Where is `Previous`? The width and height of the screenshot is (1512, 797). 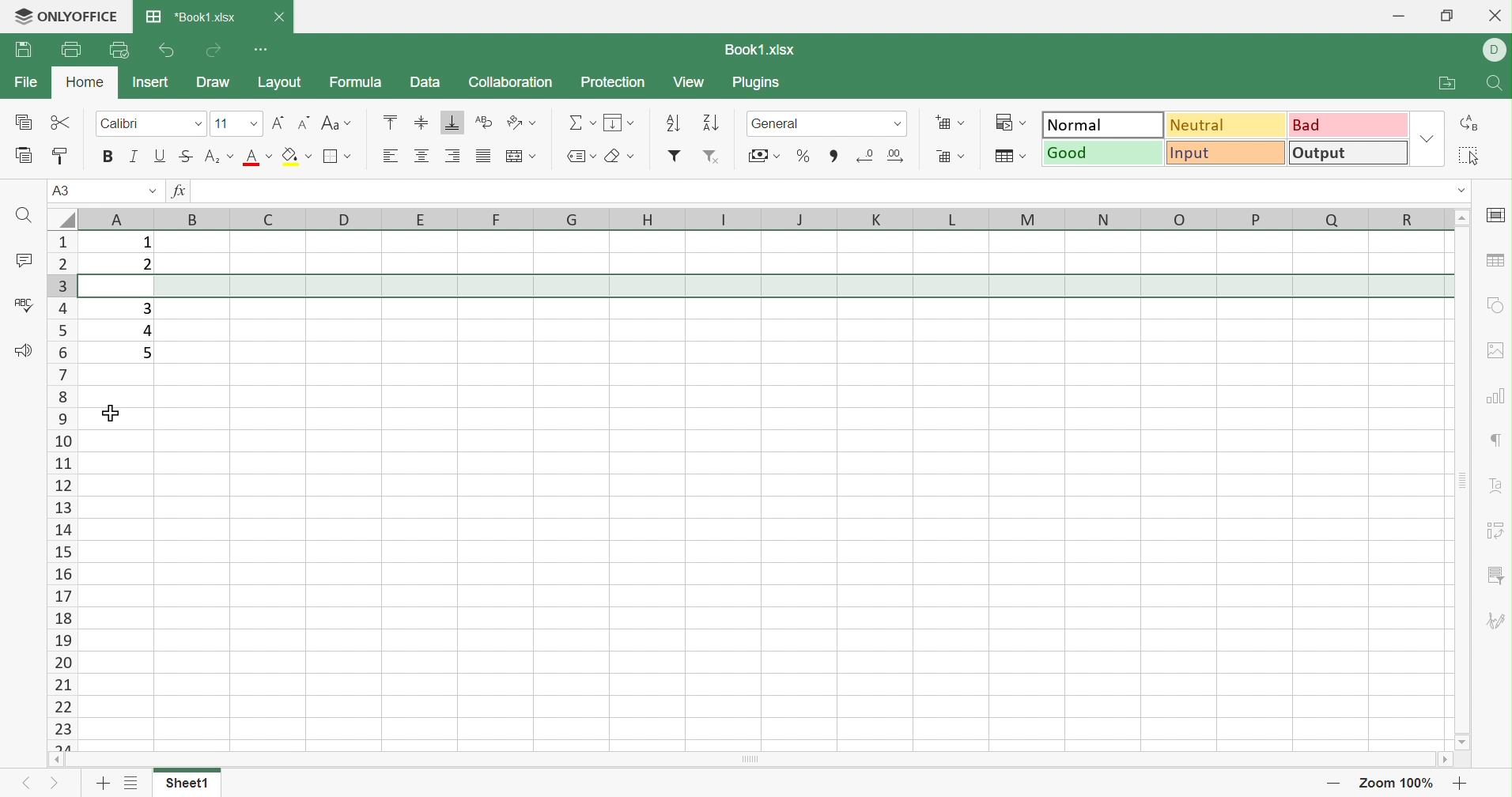
Previous is located at coordinates (28, 782).